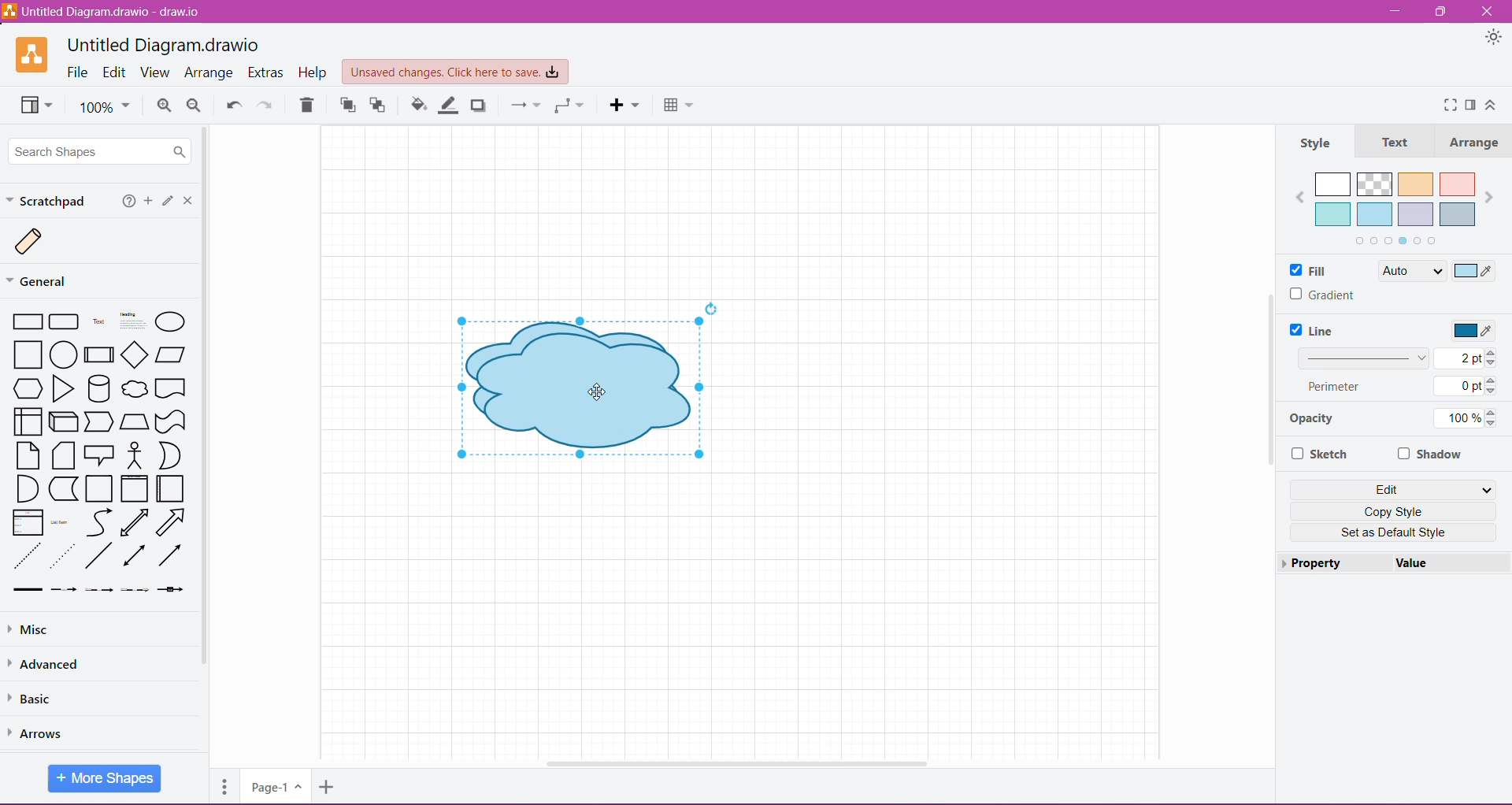 The image size is (1512, 805). Describe the element at coordinates (49, 201) in the screenshot. I see `Scratchpad` at that location.